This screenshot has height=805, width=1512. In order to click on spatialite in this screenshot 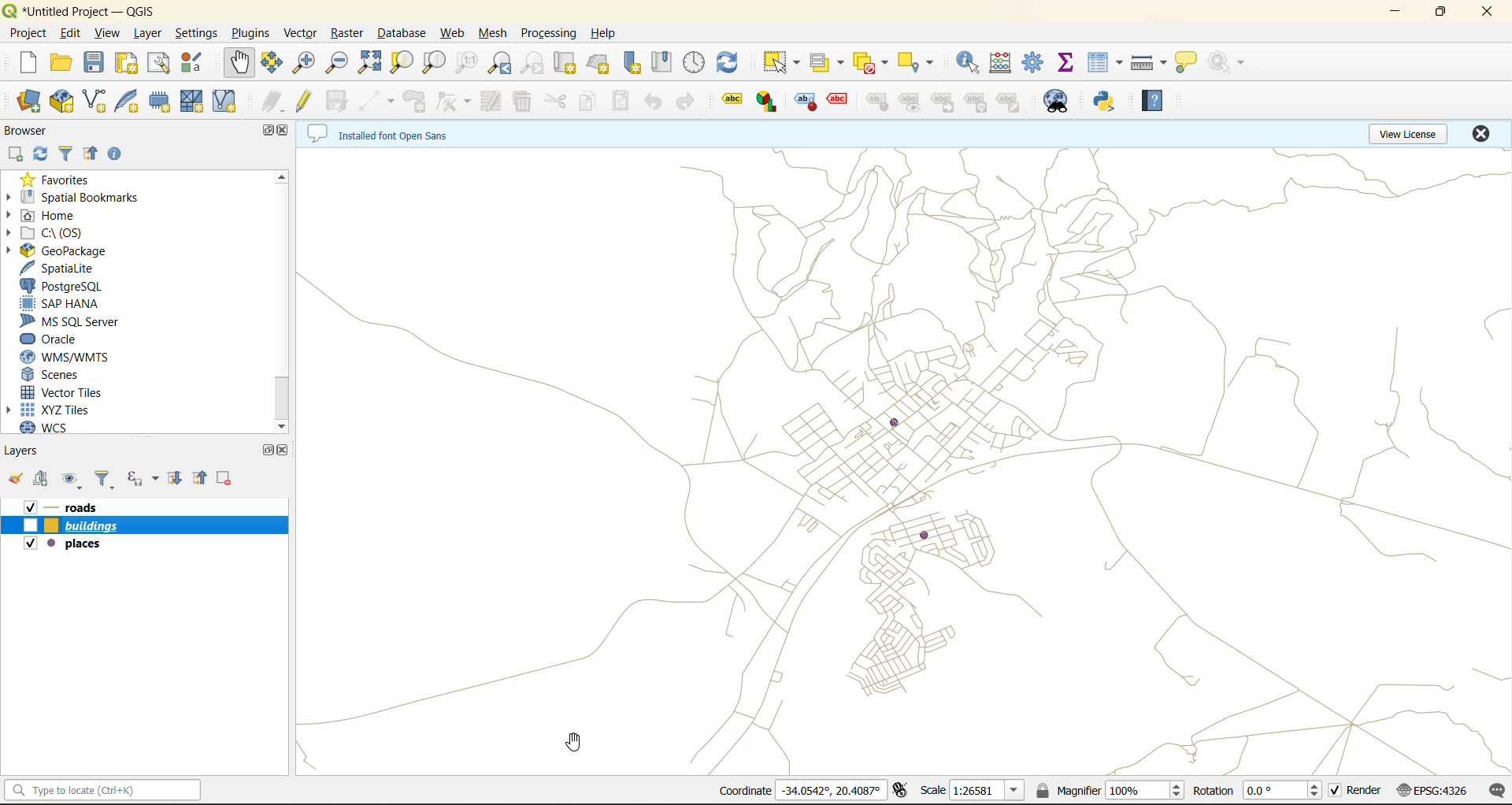, I will do `click(67, 269)`.